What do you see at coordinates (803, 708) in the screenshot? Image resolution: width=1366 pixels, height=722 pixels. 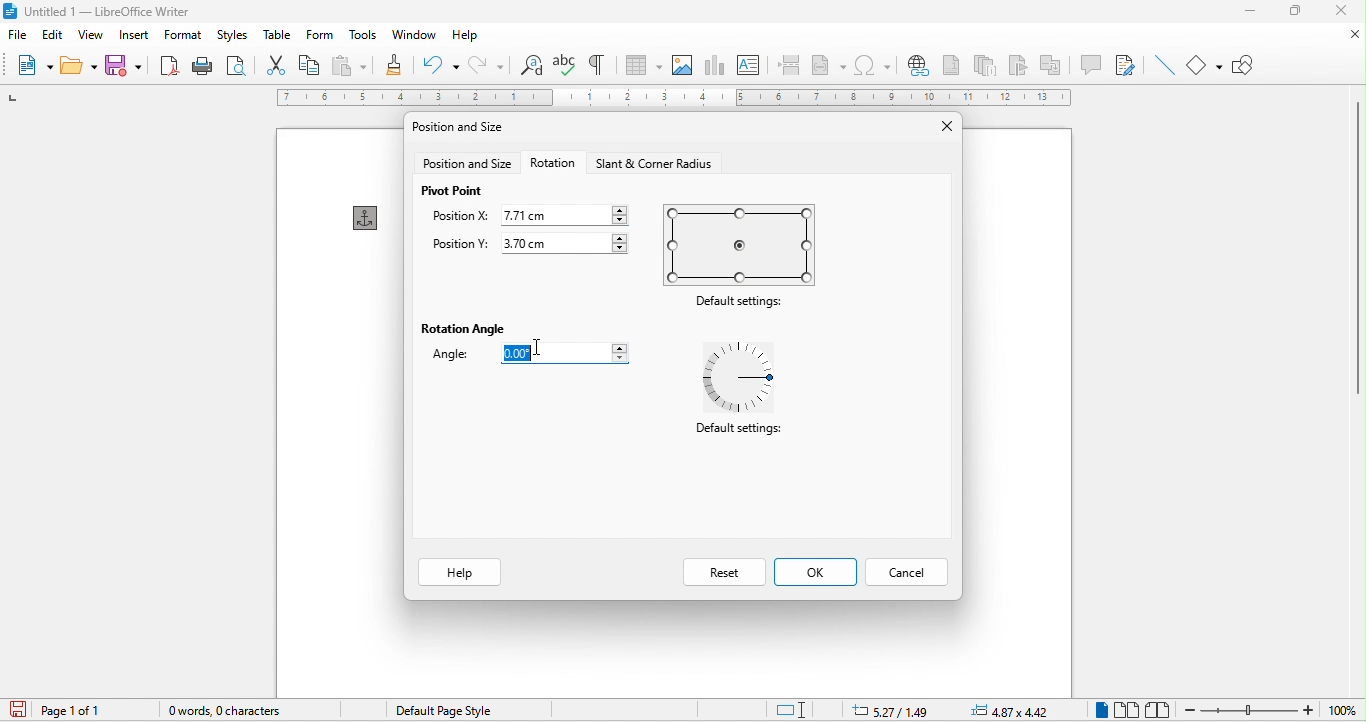 I see `standard selection` at bounding box center [803, 708].